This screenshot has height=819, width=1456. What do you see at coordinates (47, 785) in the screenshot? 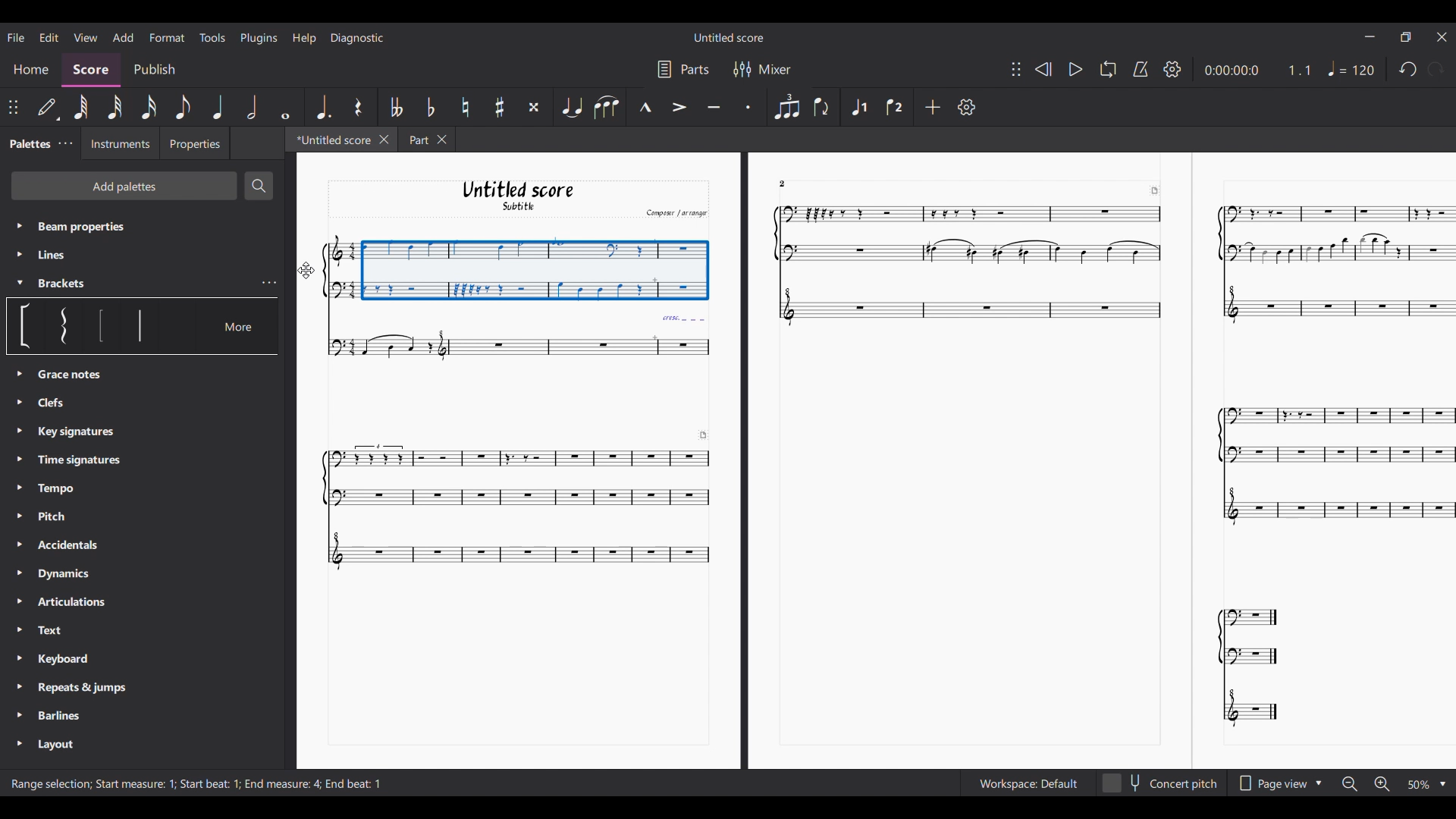
I see `range selection ;` at bounding box center [47, 785].